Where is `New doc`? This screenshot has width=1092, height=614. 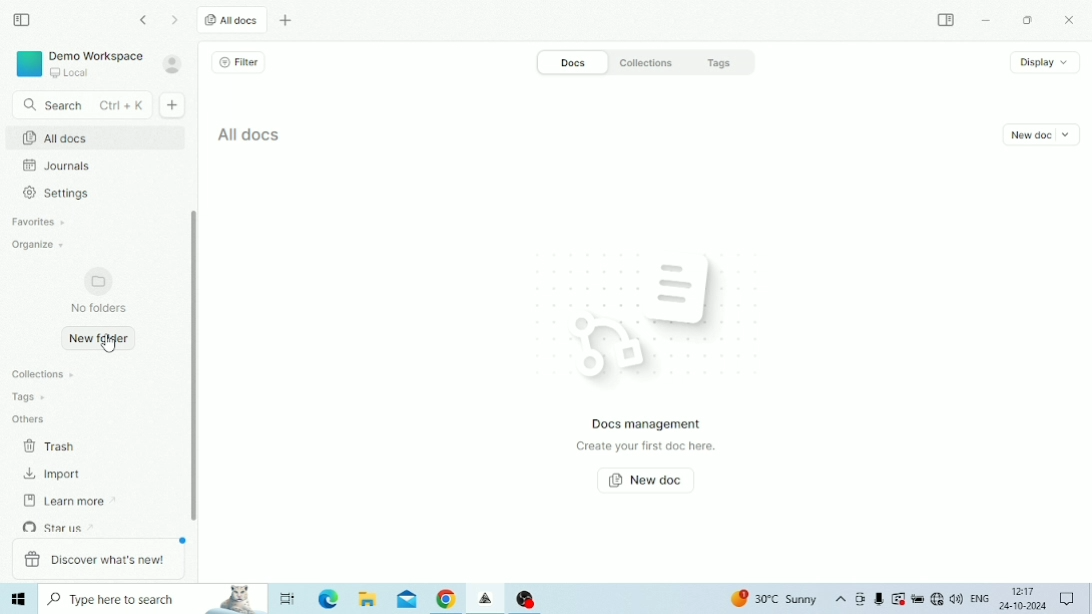
New doc is located at coordinates (1043, 135).